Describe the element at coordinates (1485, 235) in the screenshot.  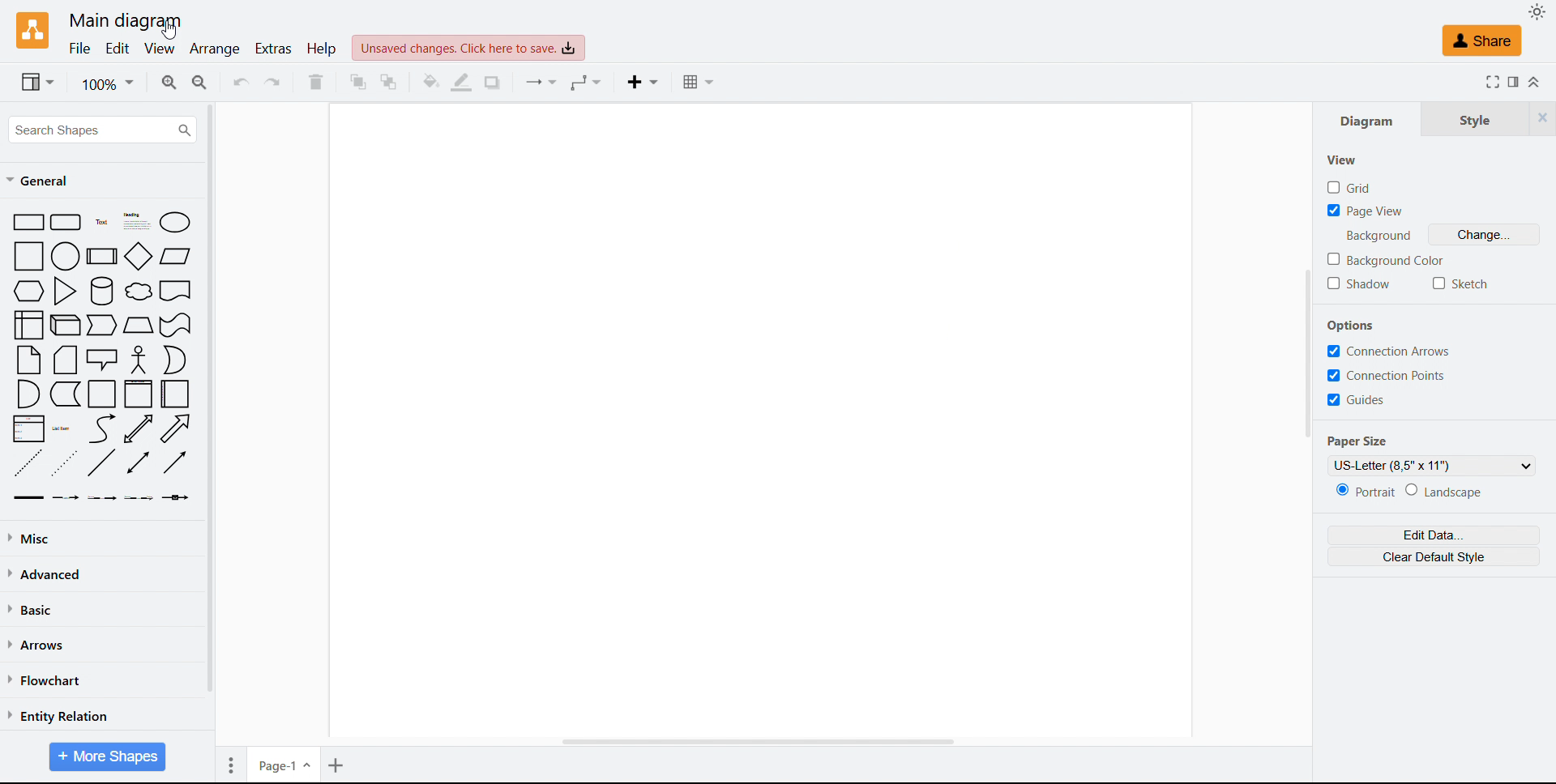
I see `Change background ` at that location.